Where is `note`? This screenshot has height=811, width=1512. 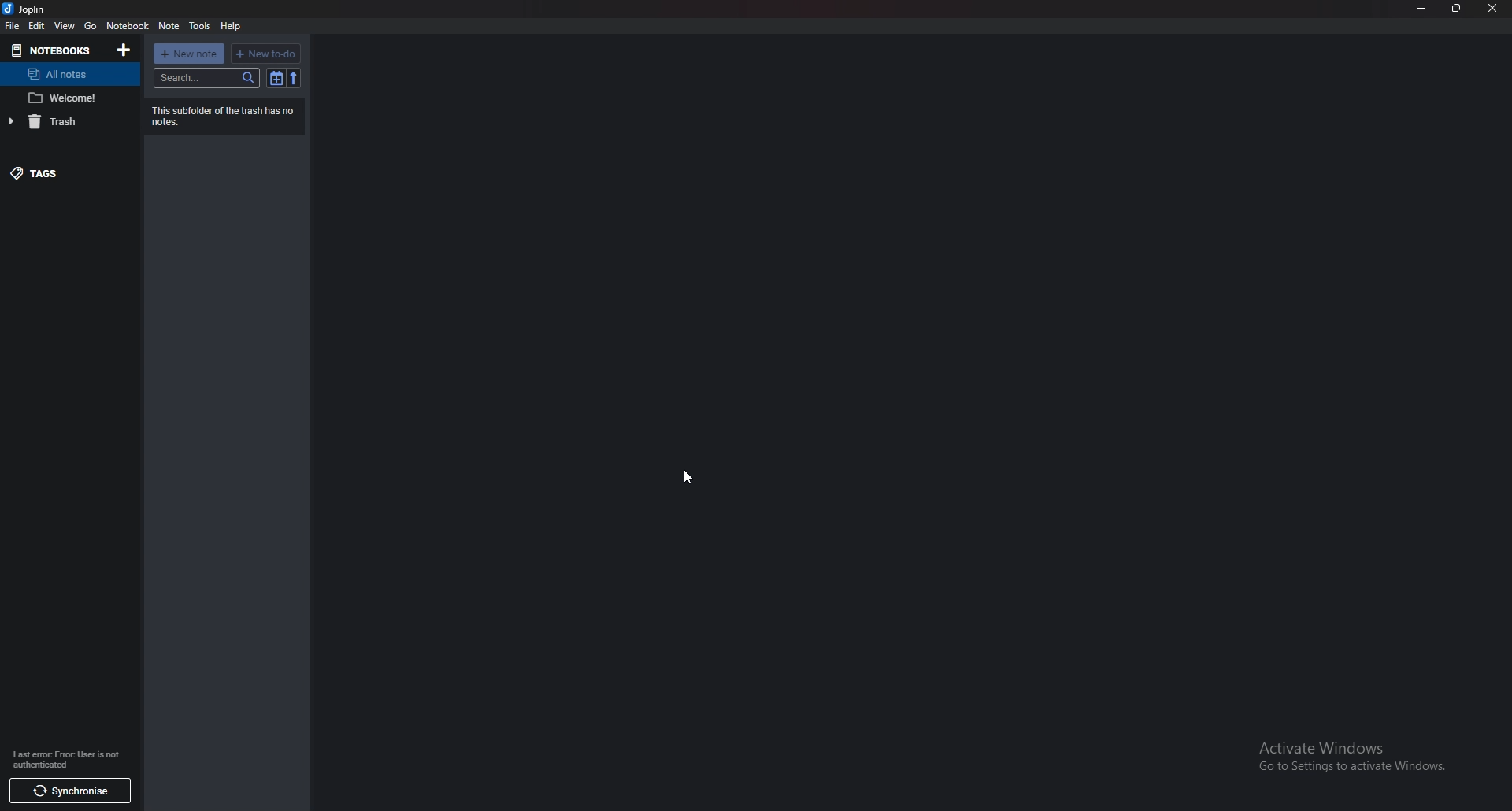 note is located at coordinates (68, 98).